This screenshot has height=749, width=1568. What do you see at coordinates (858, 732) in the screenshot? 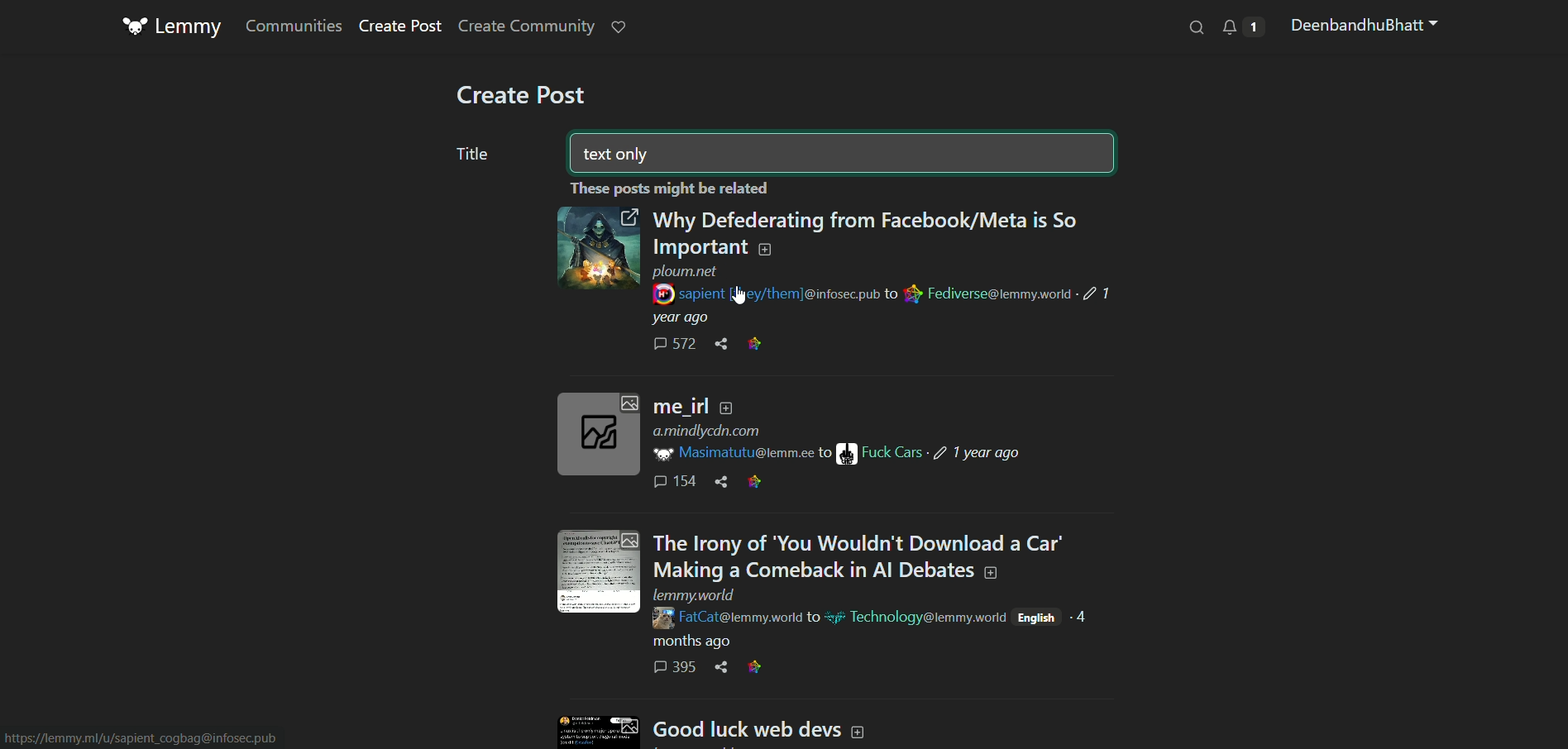
I see `Add` at bounding box center [858, 732].